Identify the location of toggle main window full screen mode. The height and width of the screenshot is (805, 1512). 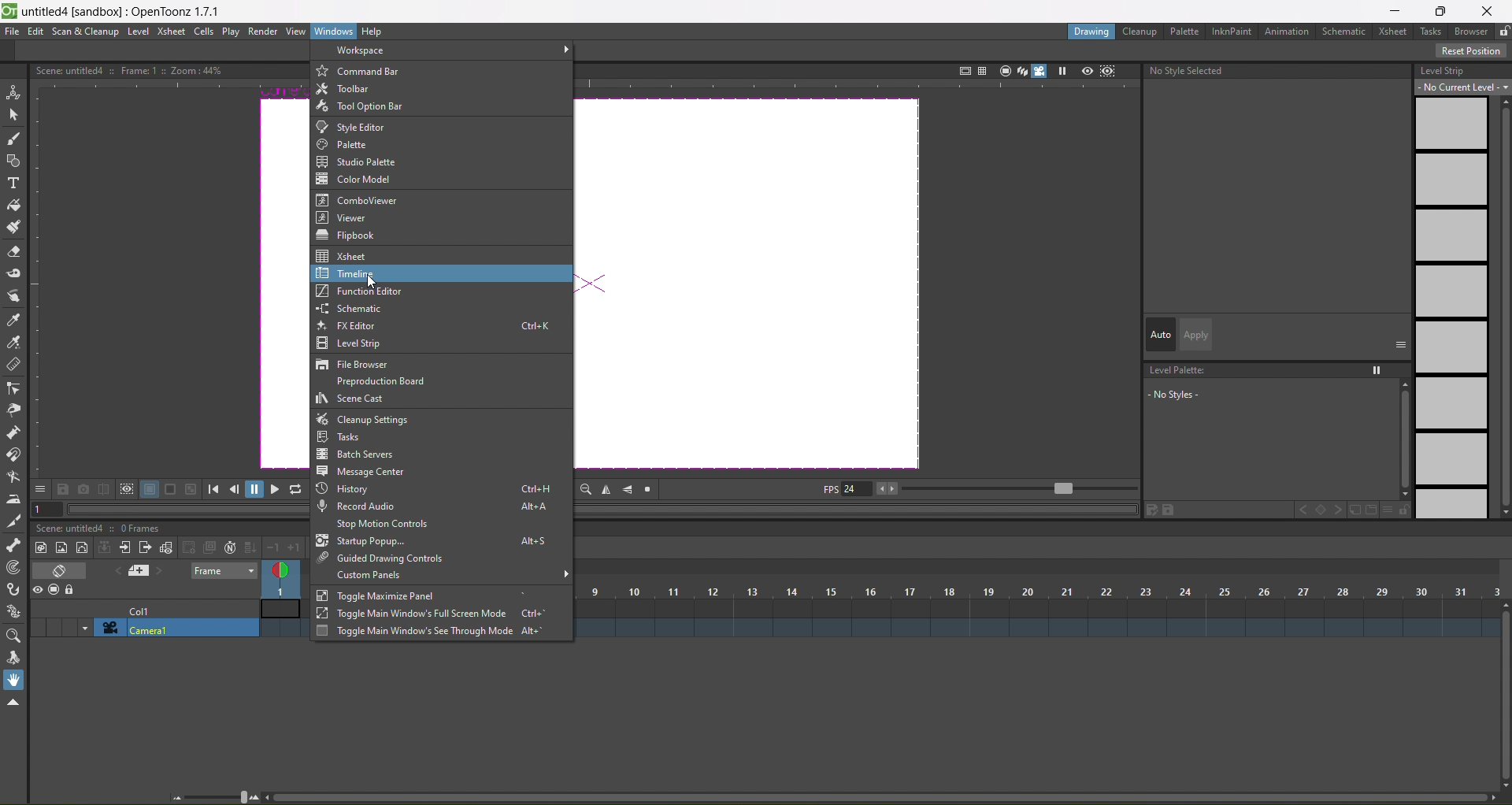
(421, 614).